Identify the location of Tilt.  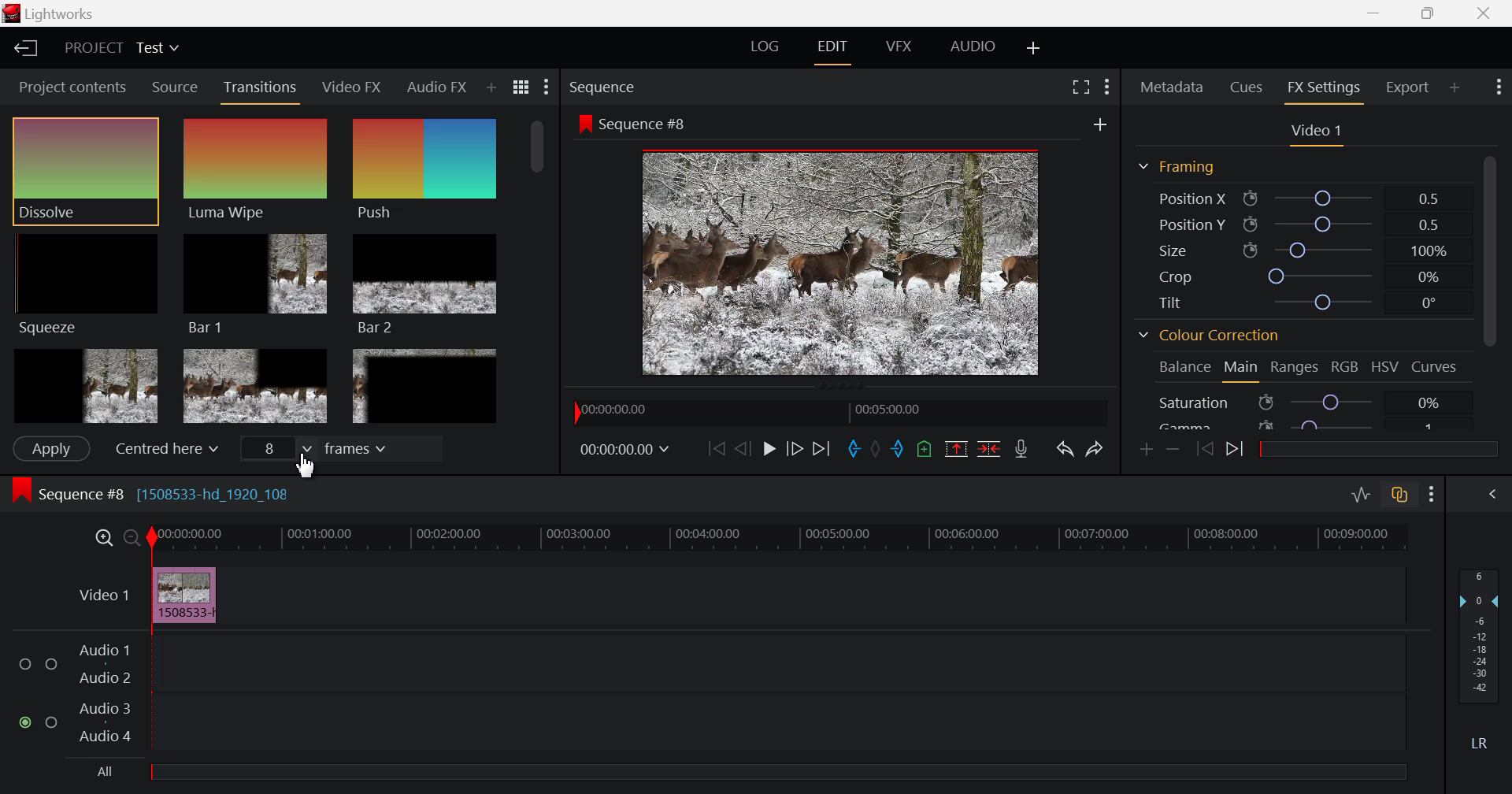
(1296, 302).